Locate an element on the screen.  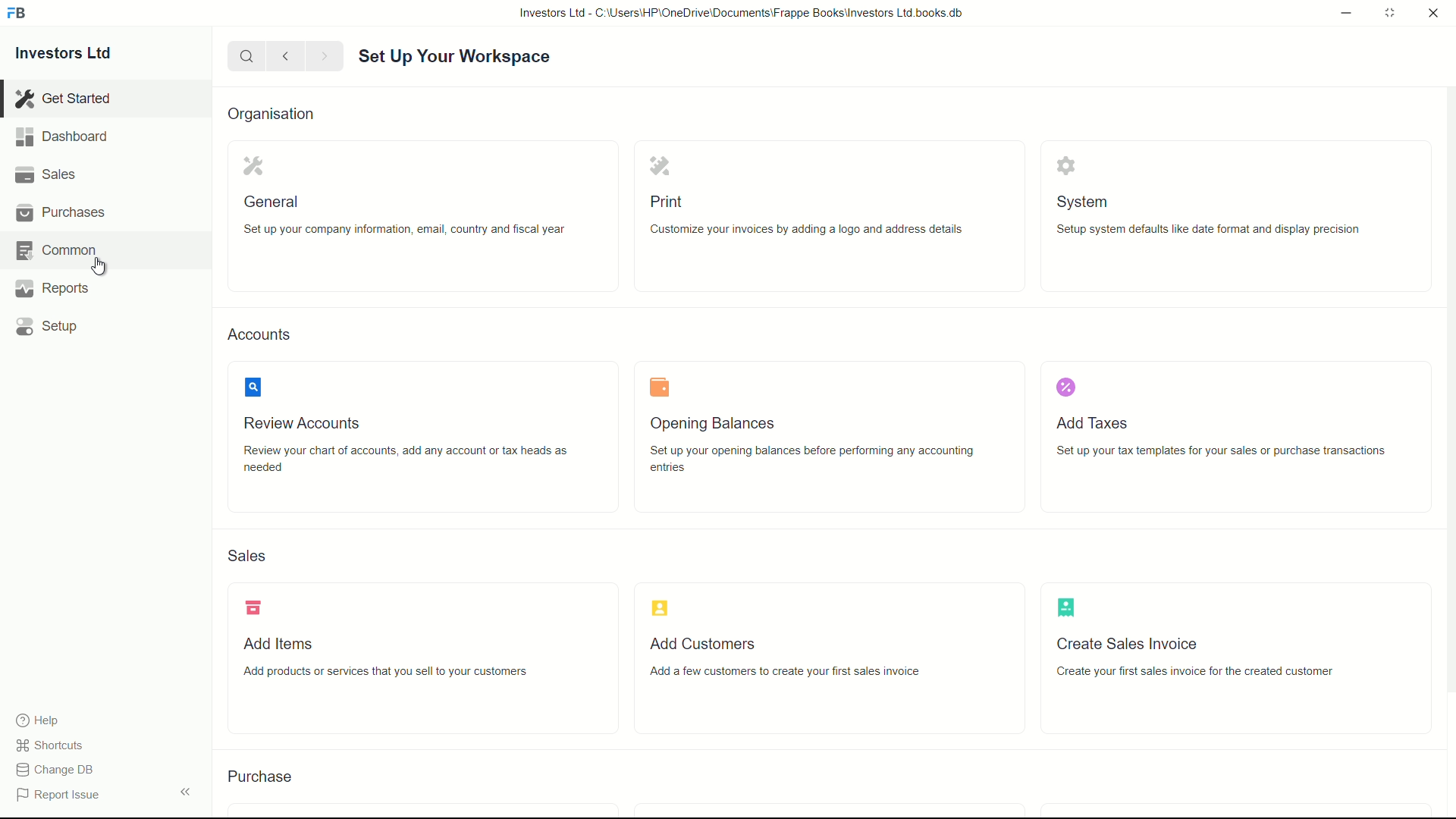
close is located at coordinates (1434, 14).